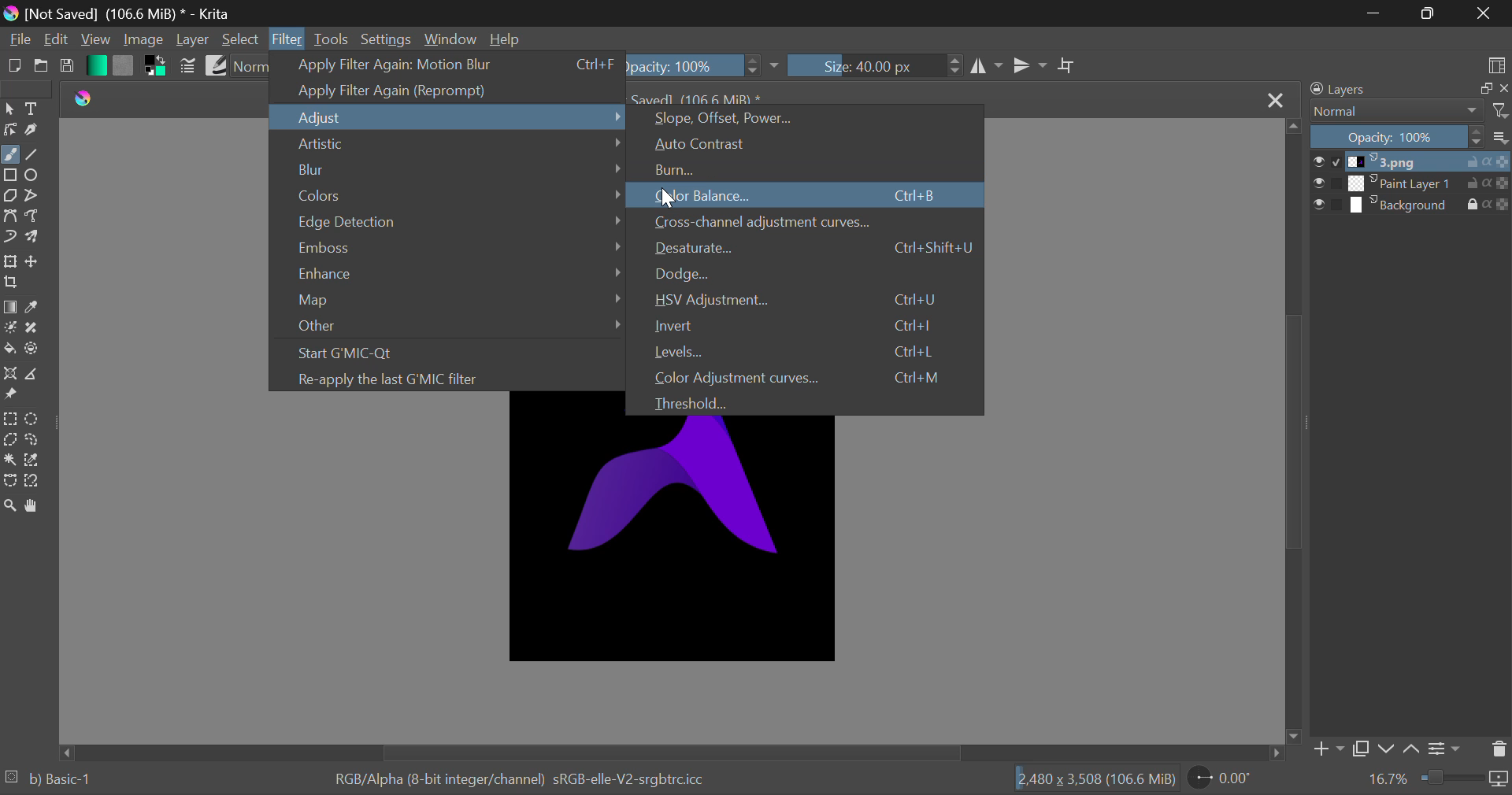 The width and height of the screenshot is (1512, 795). What do you see at coordinates (9, 349) in the screenshot?
I see `Fill` at bounding box center [9, 349].